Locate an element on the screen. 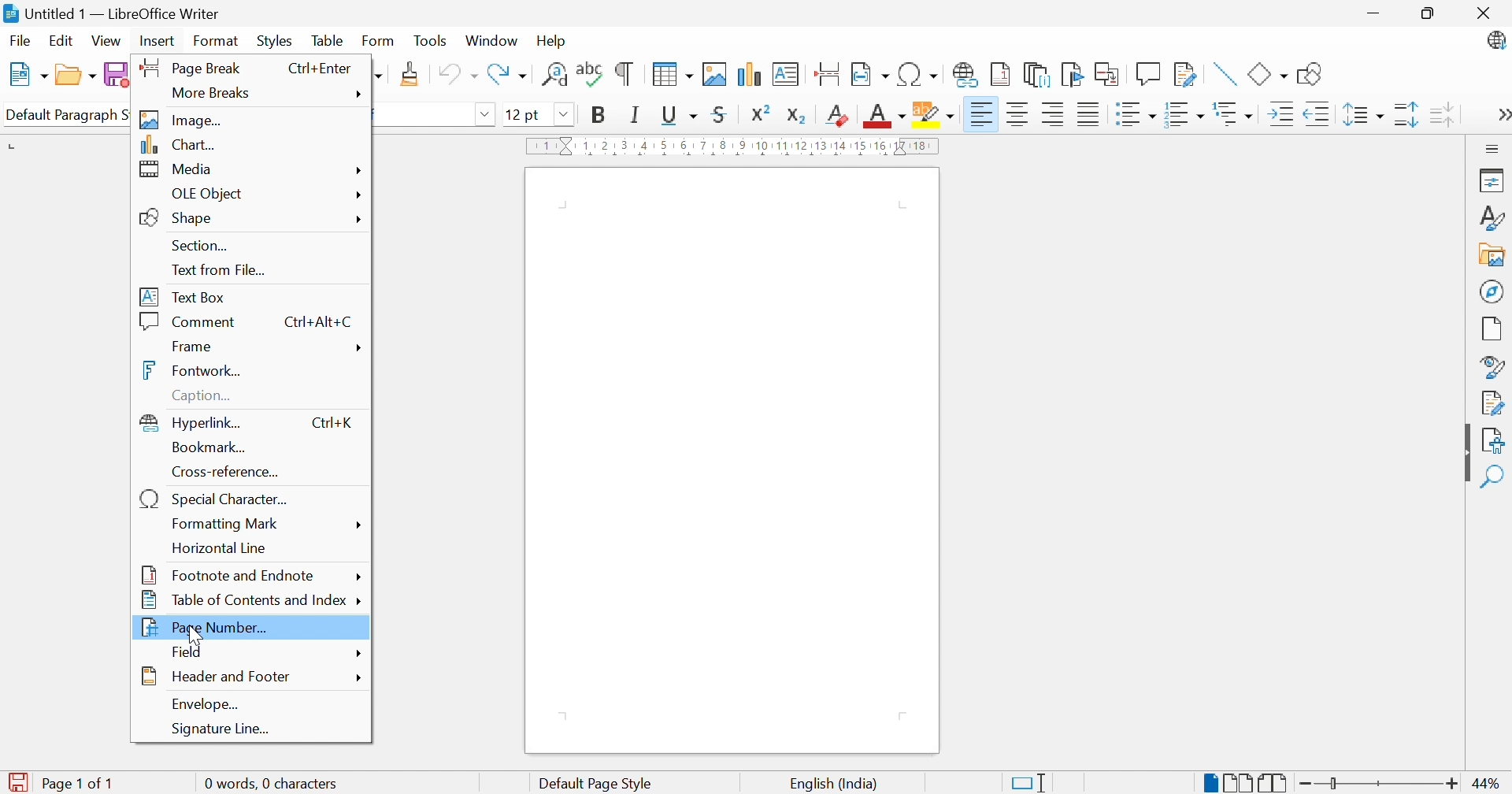 The height and width of the screenshot is (794, 1512). Chart is located at coordinates (179, 145).